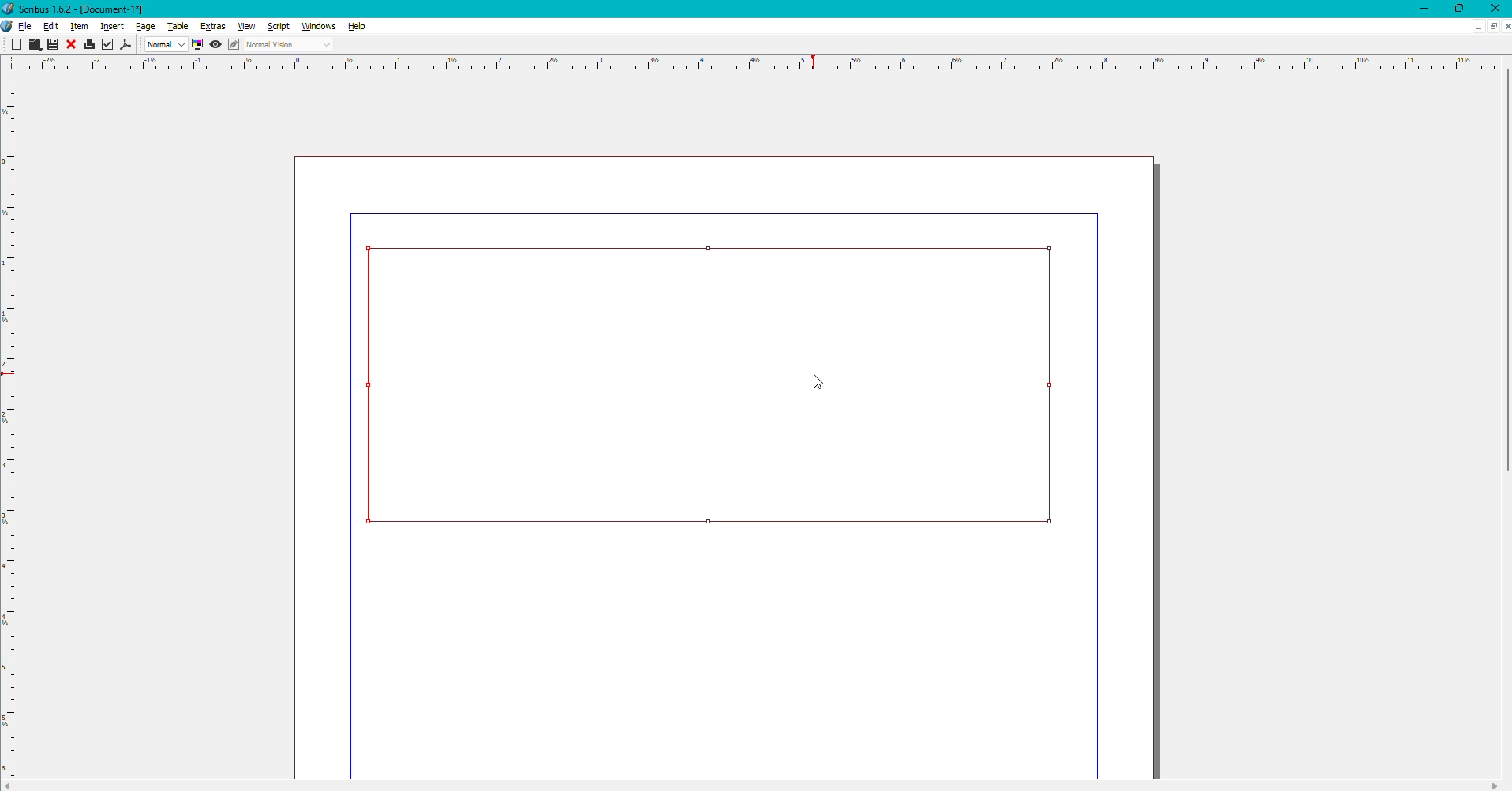 This screenshot has height=791, width=1512. Describe the element at coordinates (355, 27) in the screenshot. I see `Help` at that location.